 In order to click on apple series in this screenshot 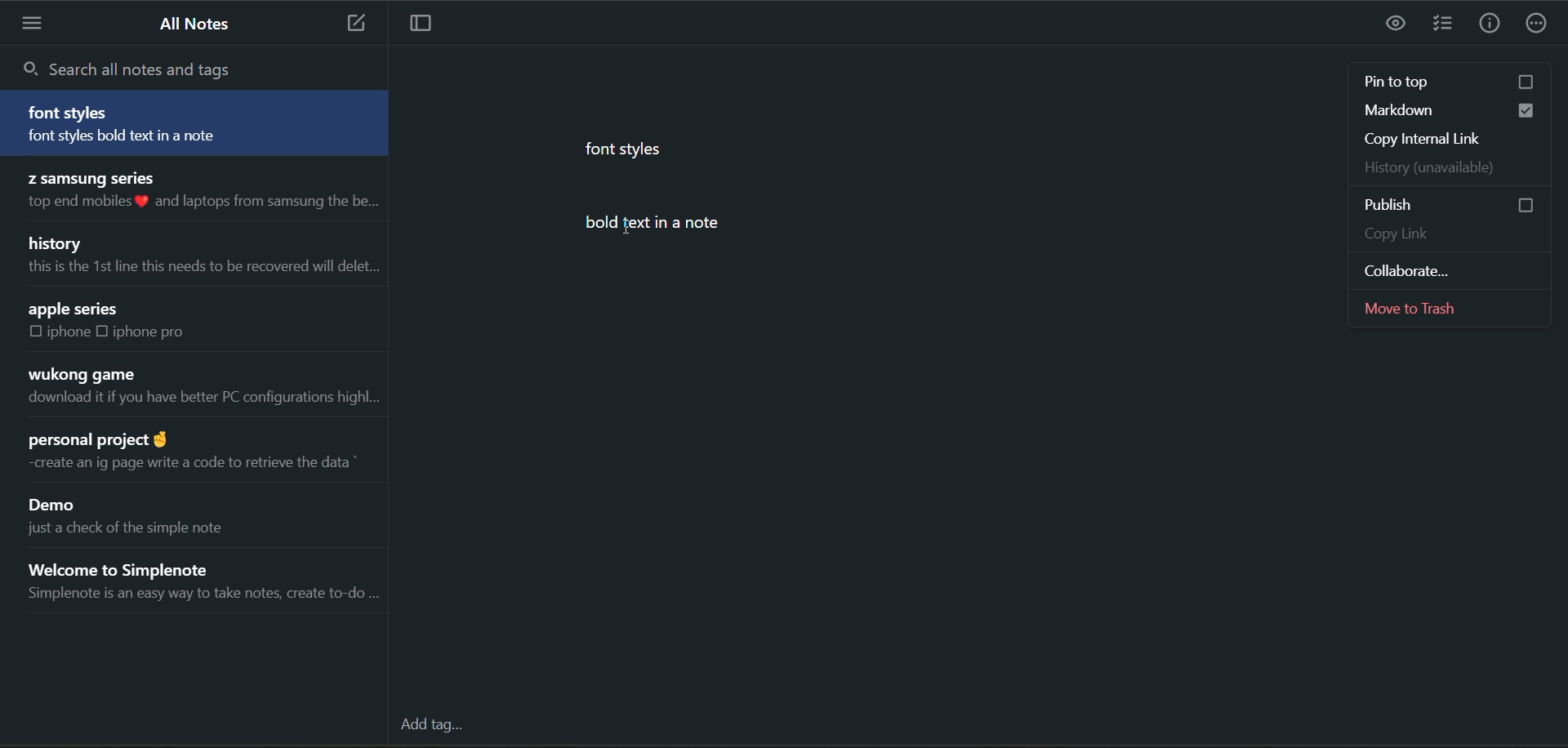, I will do `click(75, 309)`.